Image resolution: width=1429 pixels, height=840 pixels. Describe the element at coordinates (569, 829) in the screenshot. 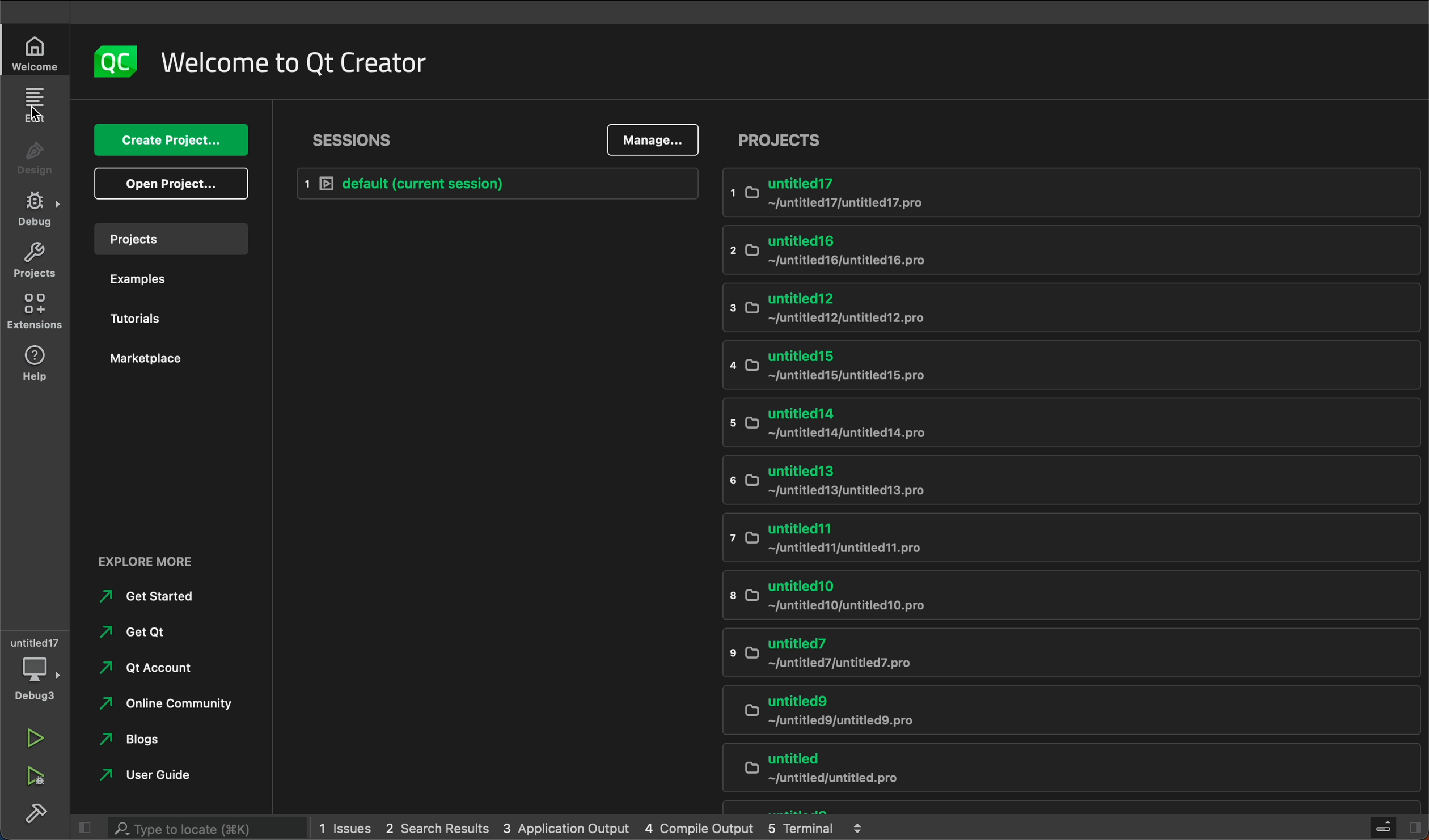

I see `3 application output` at that location.